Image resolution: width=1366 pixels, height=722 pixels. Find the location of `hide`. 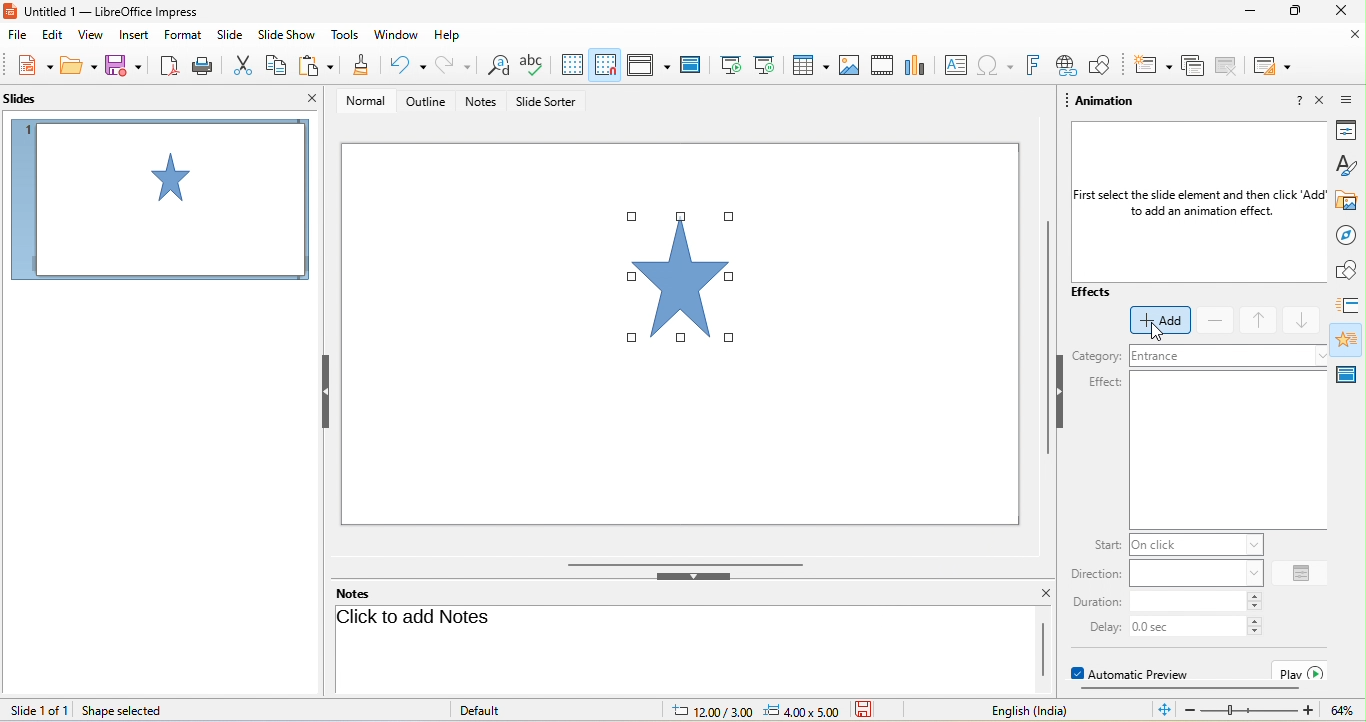

hide is located at coordinates (329, 392).